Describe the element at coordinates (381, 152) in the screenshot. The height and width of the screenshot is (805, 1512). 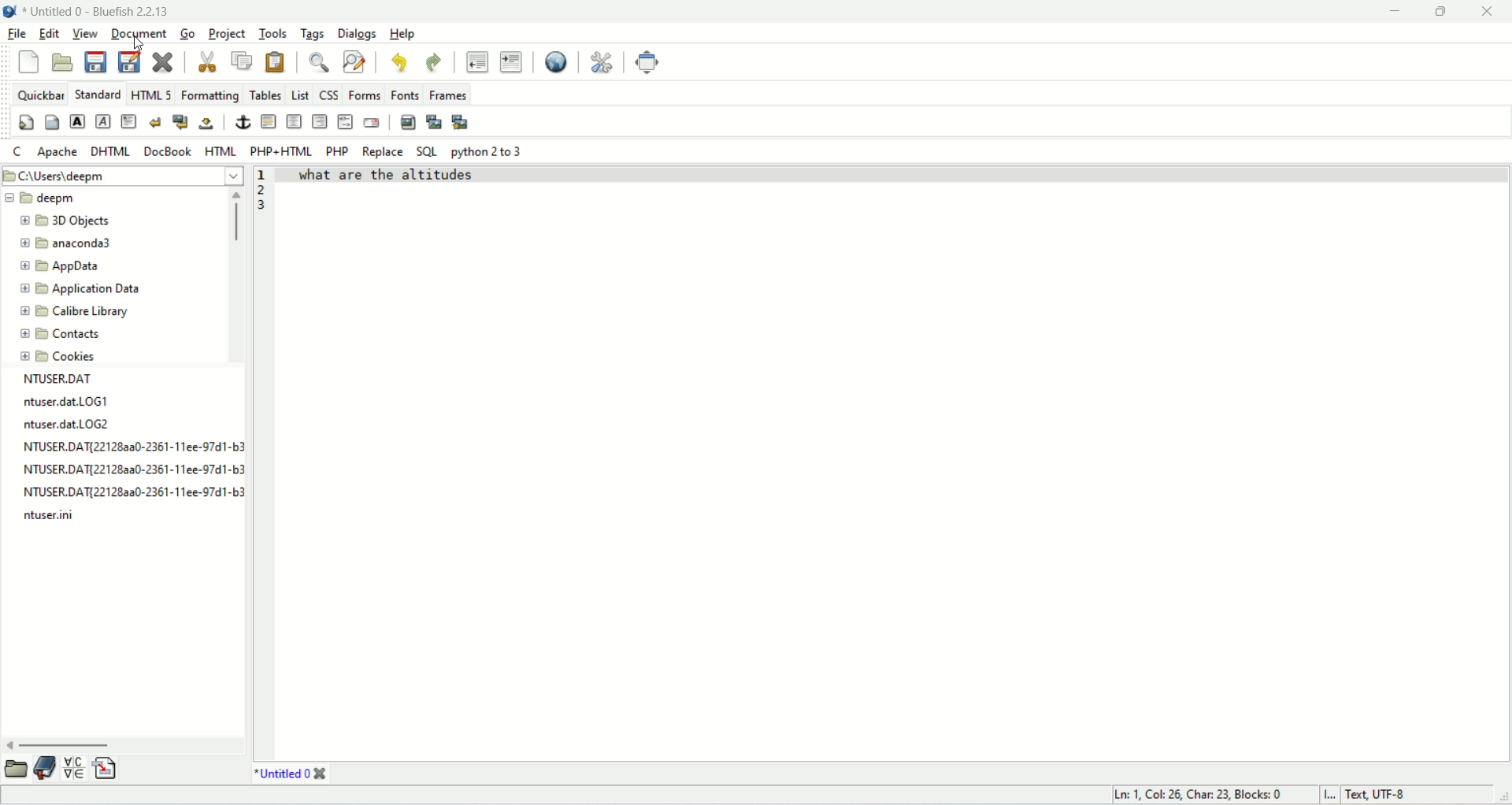
I see `replace` at that location.